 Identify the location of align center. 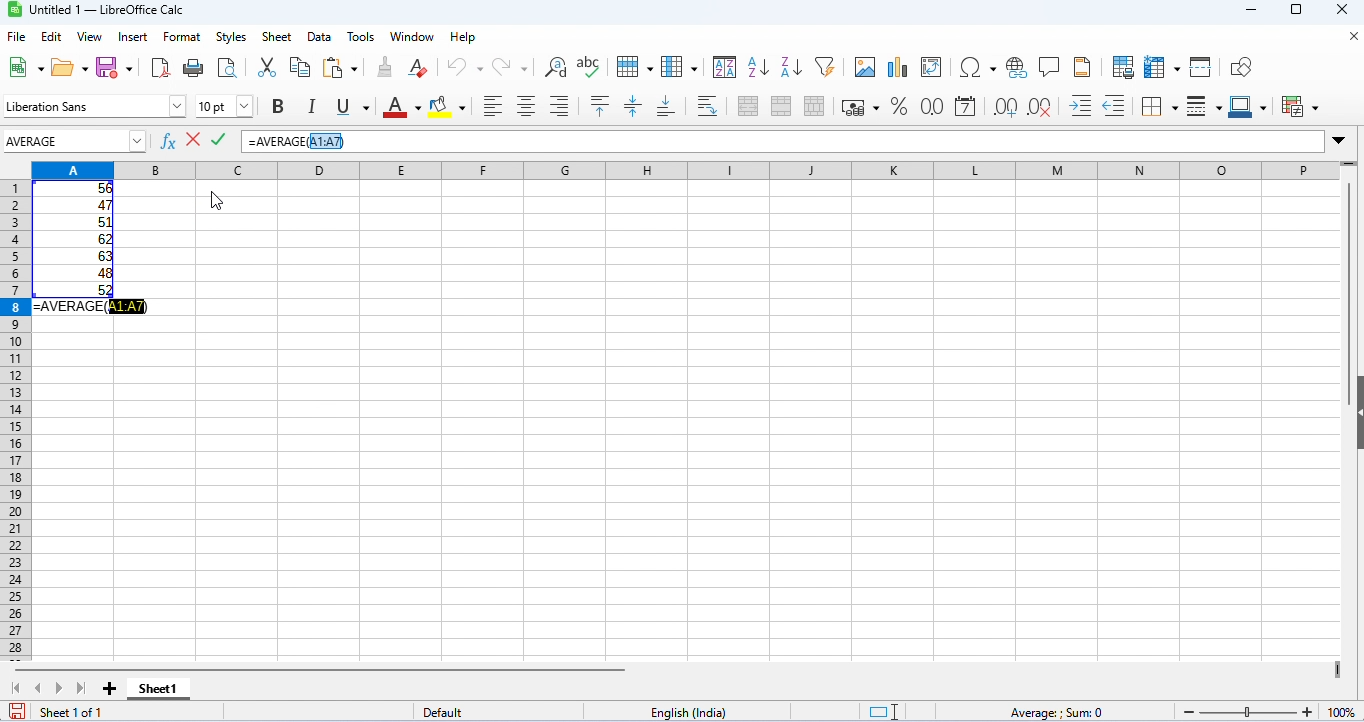
(526, 106).